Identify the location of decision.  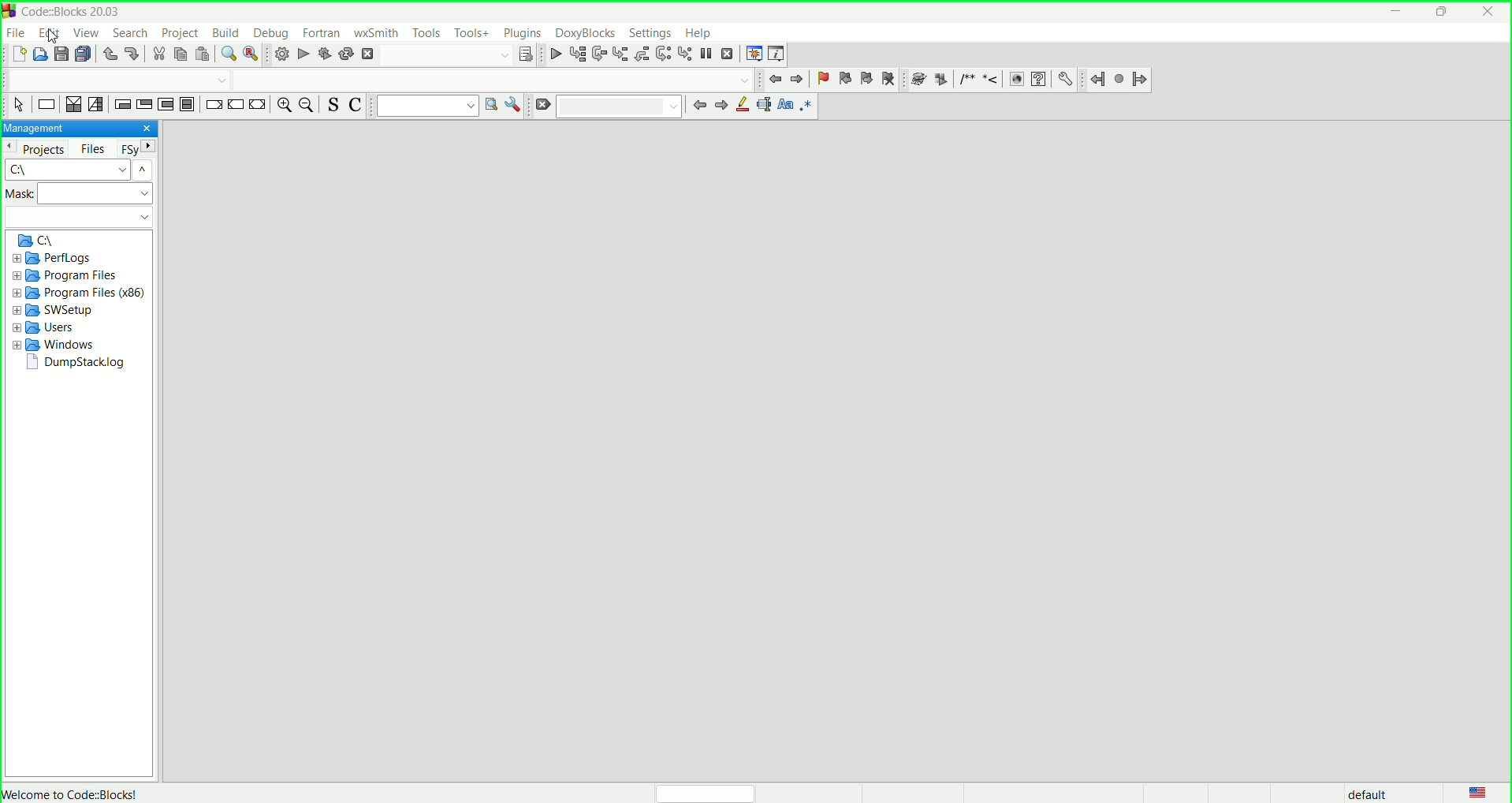
(72, 105).